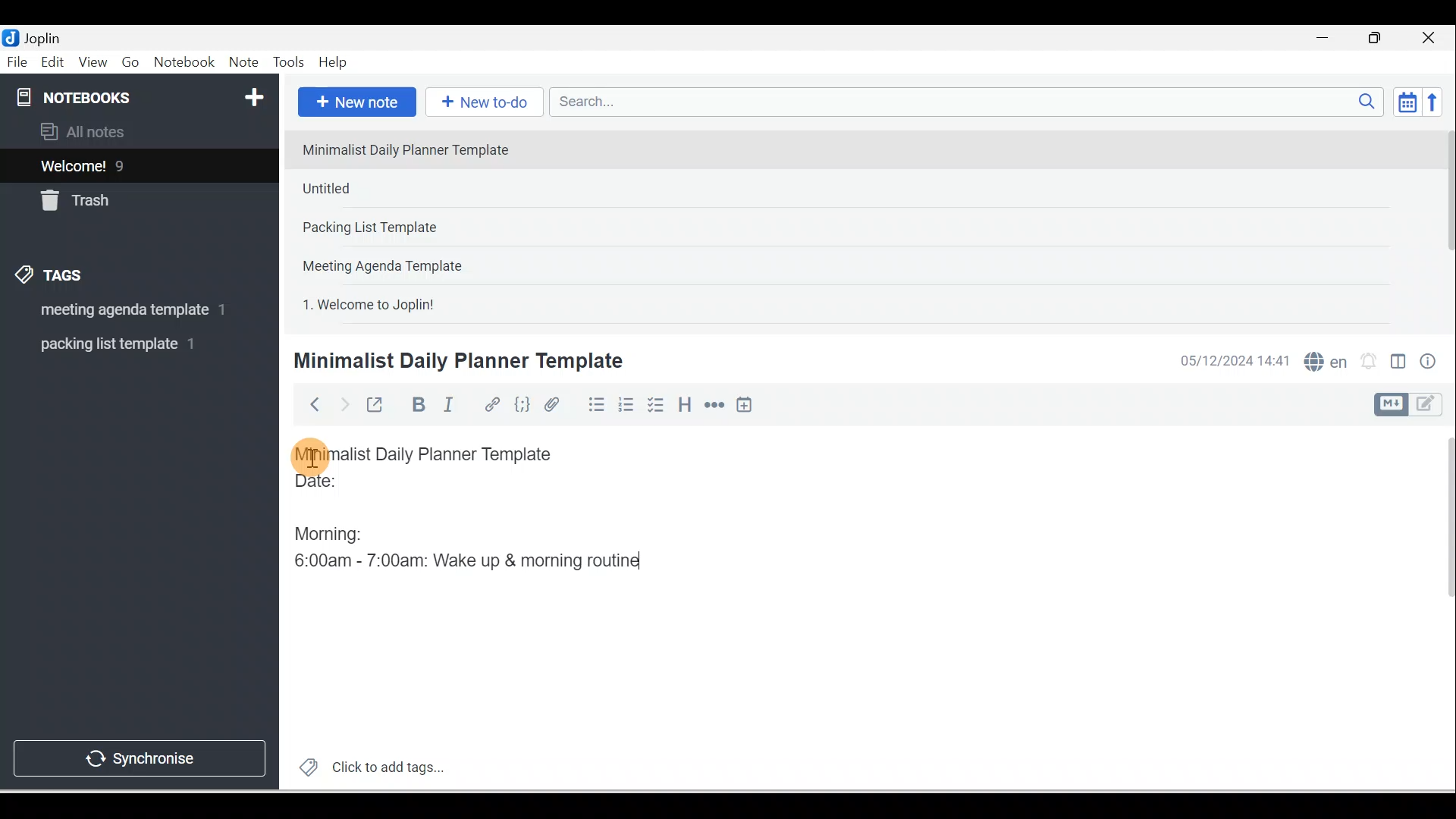  Describe the element at coordinates (354, 103) in the screenshot. I see `New note` at that location.